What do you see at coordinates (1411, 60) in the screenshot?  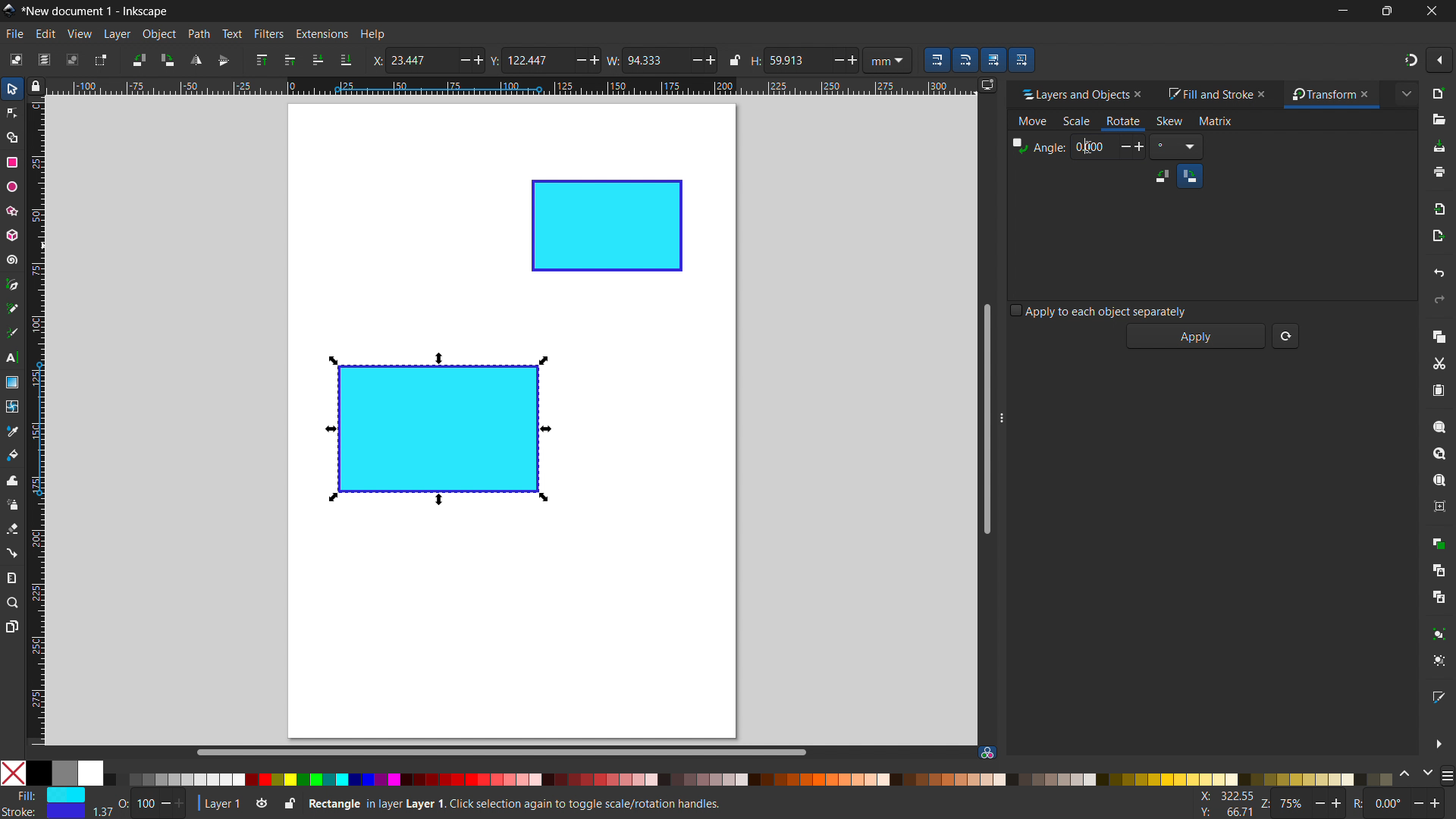 I see `snapping` at bounding box center [1411, 60].